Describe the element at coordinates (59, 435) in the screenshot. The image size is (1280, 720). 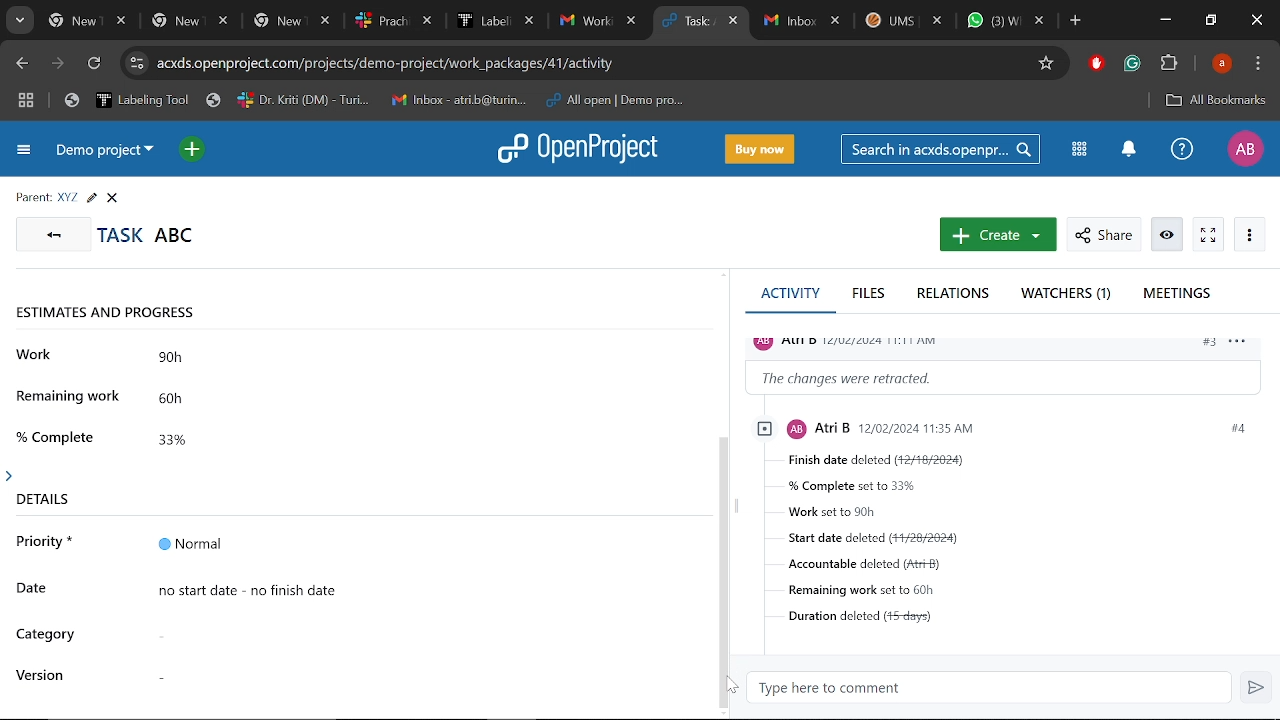
I see `% complete` at that location.